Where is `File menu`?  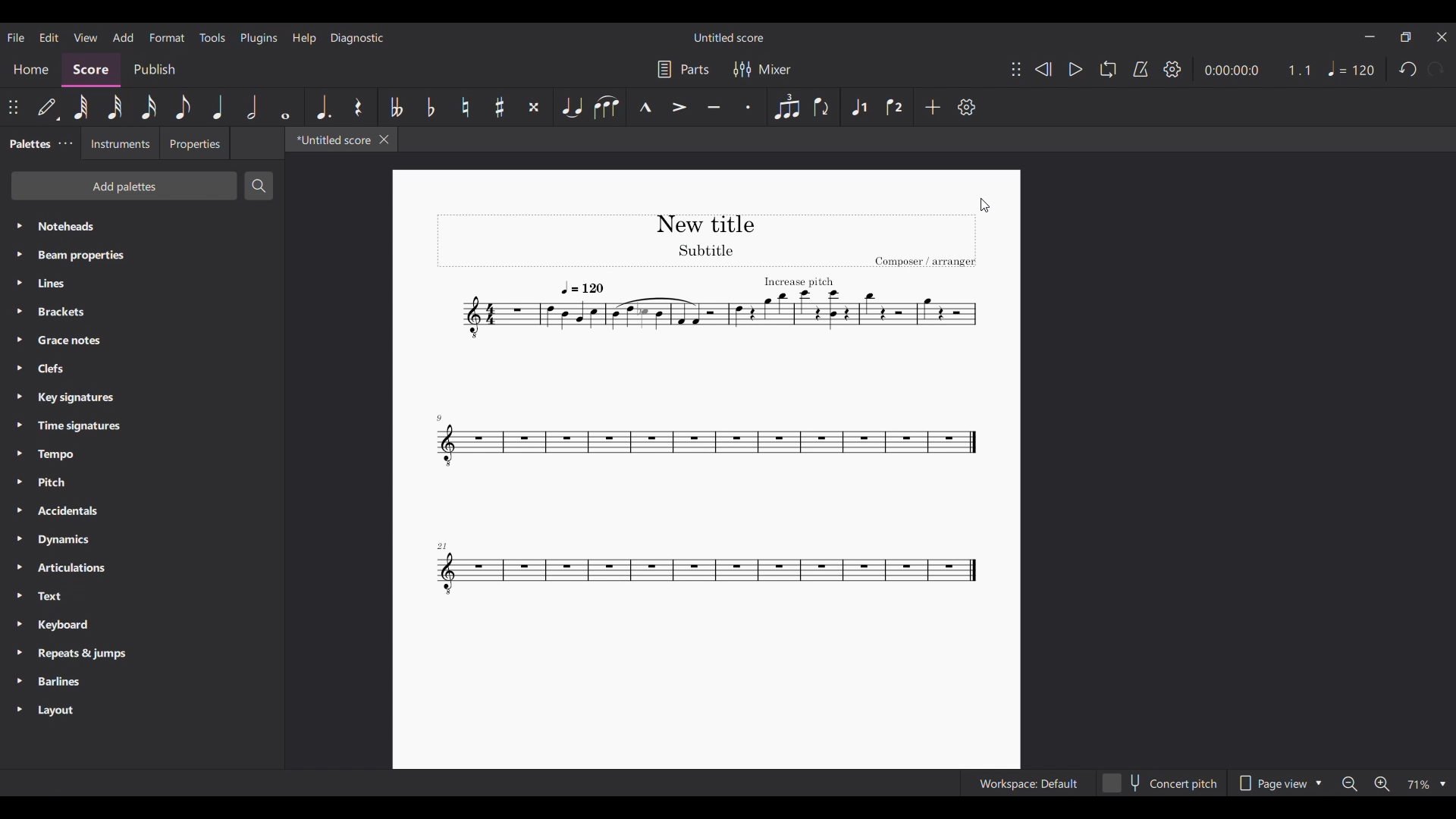
File menu is located at coordinates (15, 37).